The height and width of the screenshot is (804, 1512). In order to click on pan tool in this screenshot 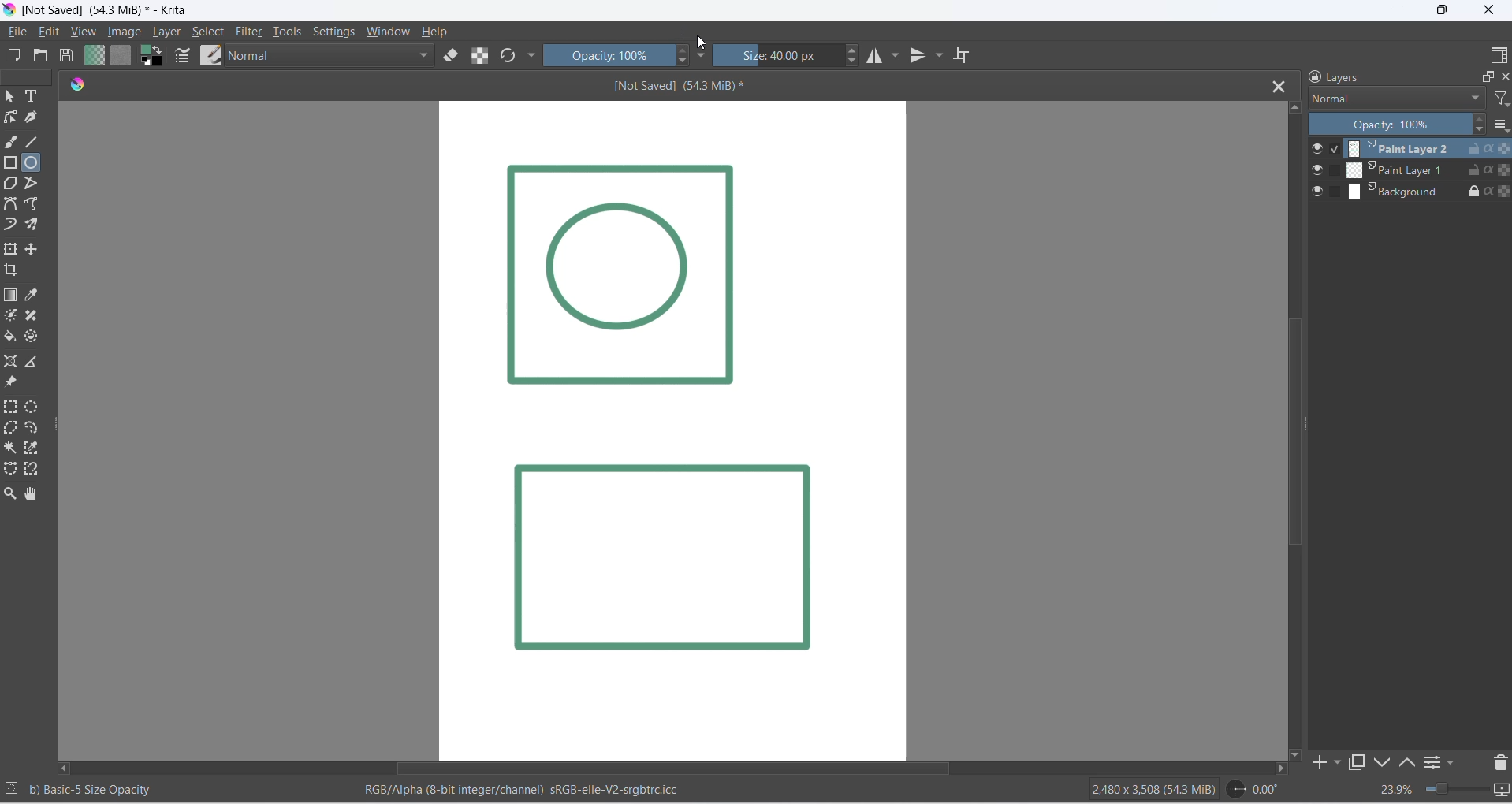, I will do `click(35, 494)`.